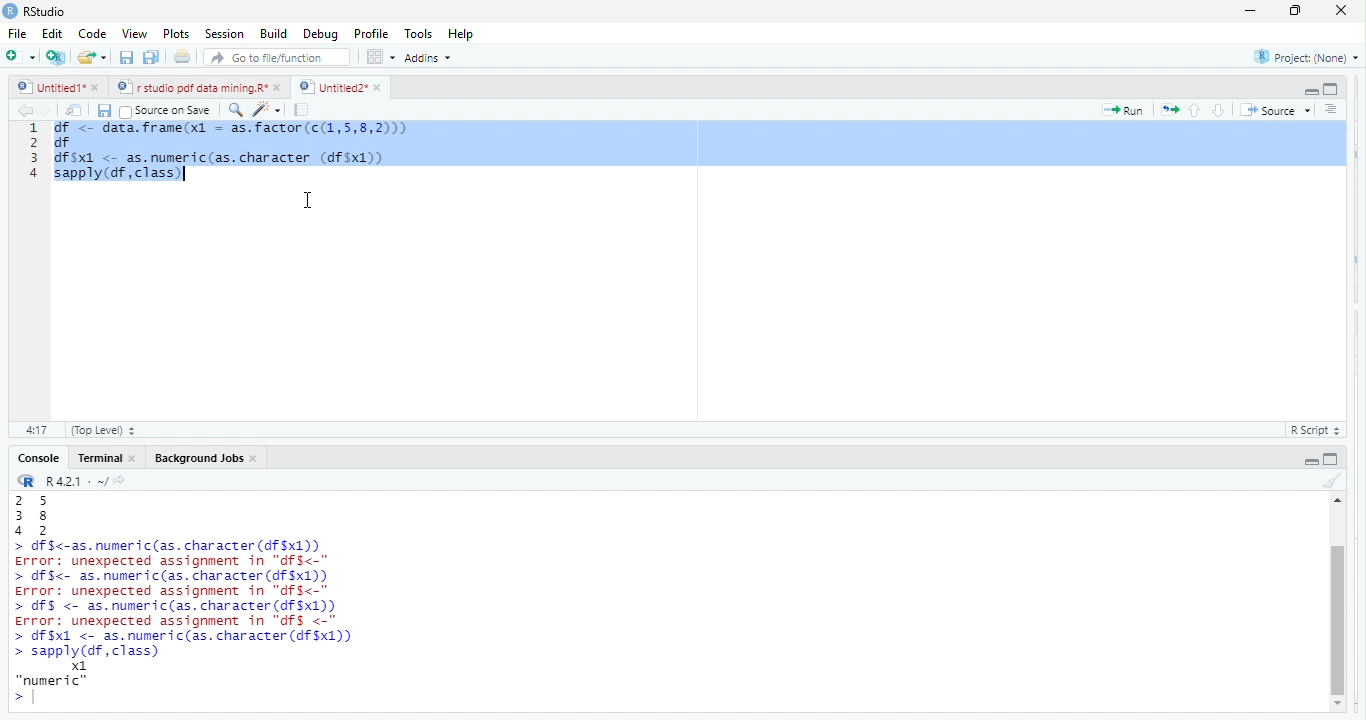 This screenshot has width=1366, height=720. Describe the element at coordinates (93, 57) in the screenshot. I see `open an existing file` at that location.